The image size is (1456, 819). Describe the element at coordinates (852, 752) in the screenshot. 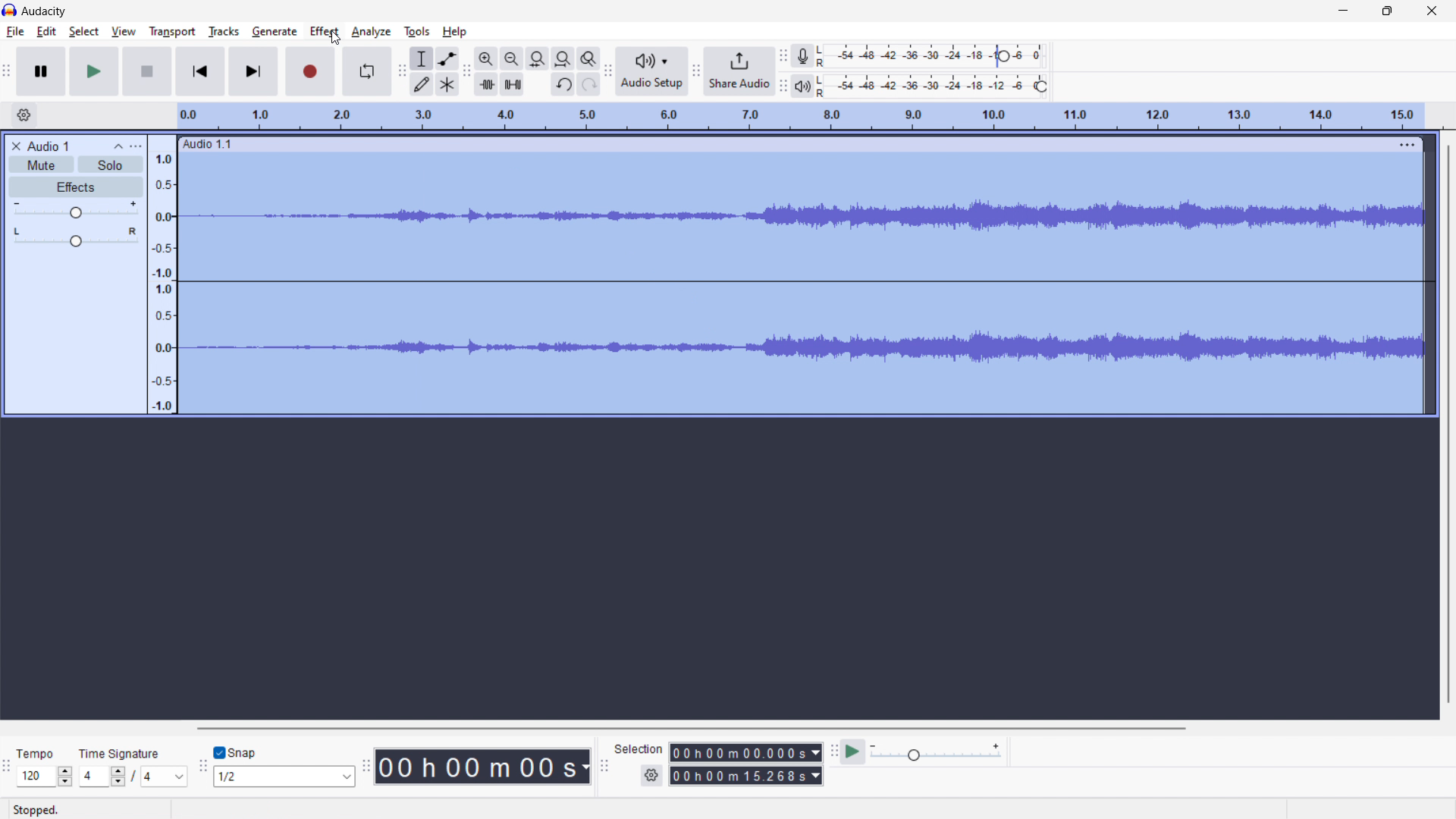

I see `play at speed` at that location.